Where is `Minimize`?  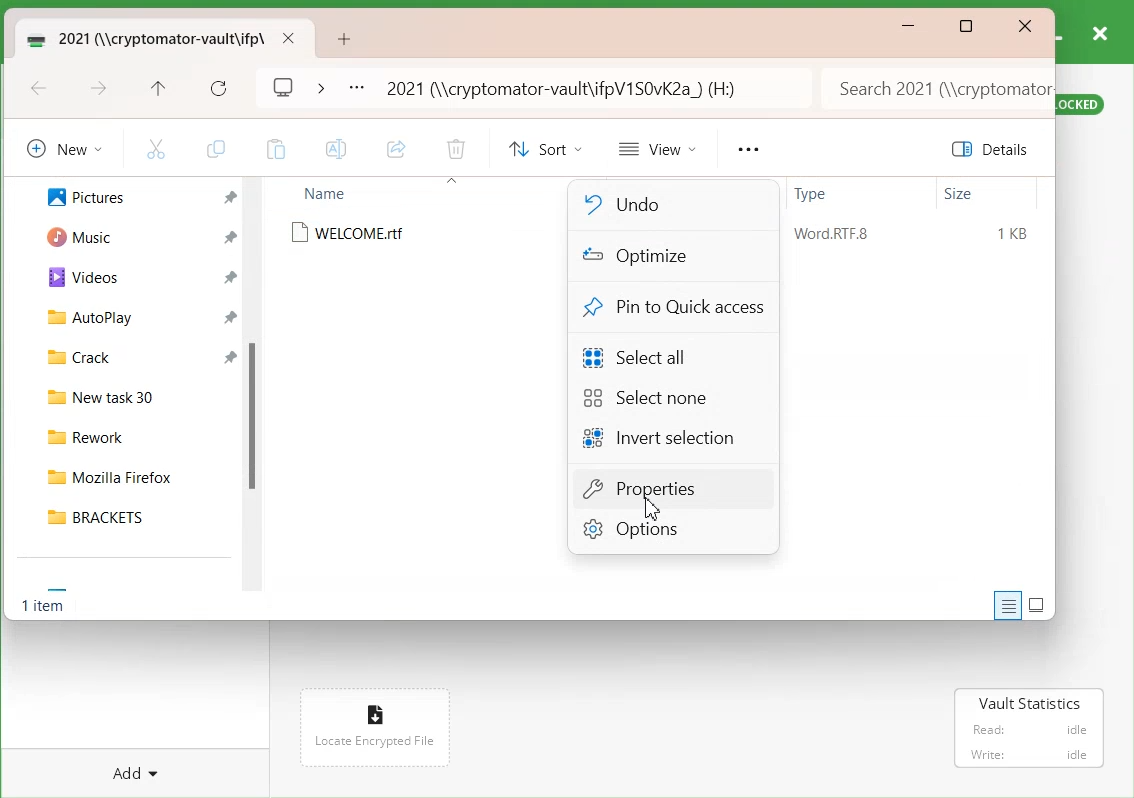 Minimize is located at coordinates (909, 26).